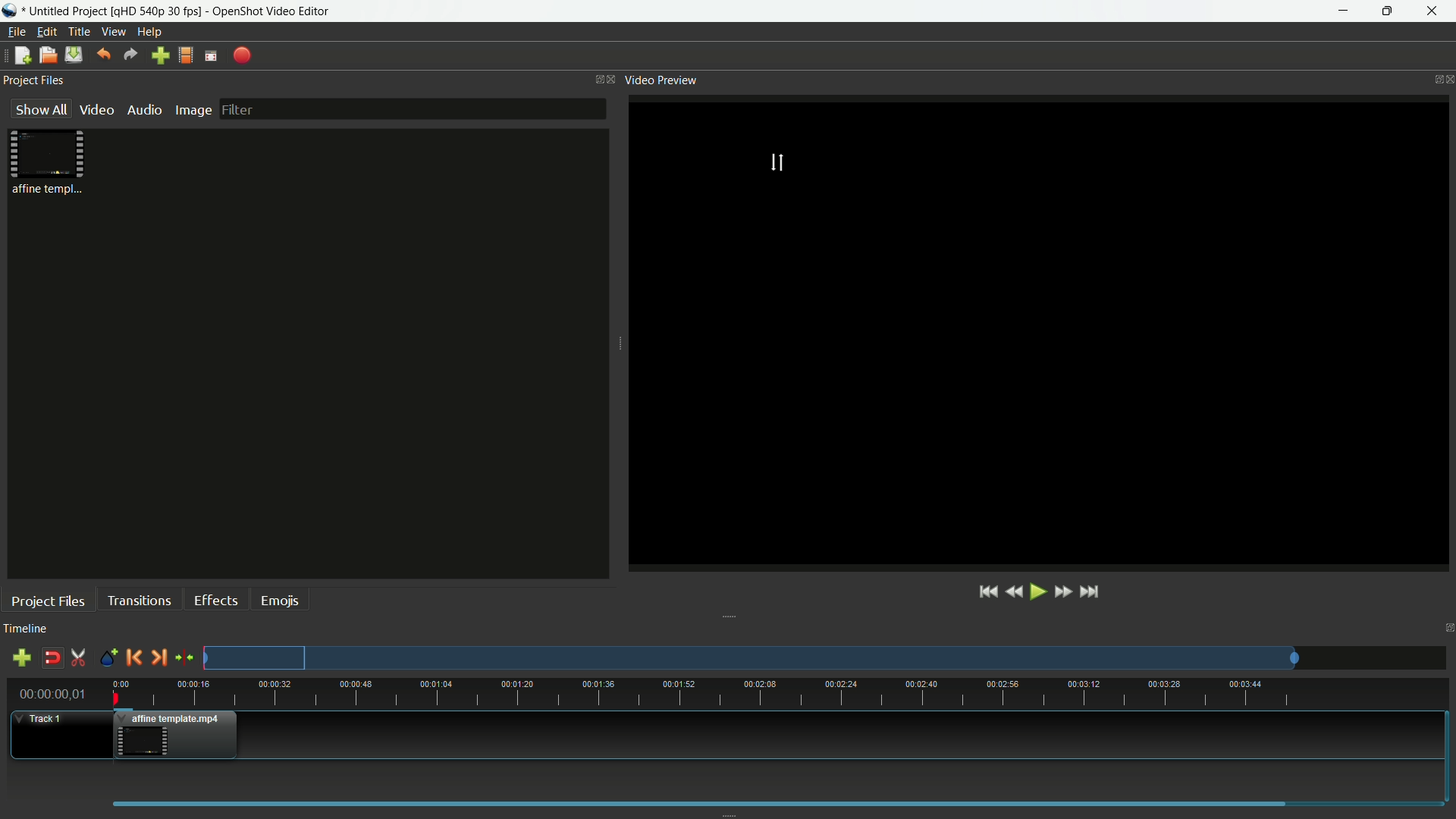 The image size is (1456, 819). What do you see at coordinates (159, 657) in the screenshot?
I see `next marker` at bounding box center [159, 657].